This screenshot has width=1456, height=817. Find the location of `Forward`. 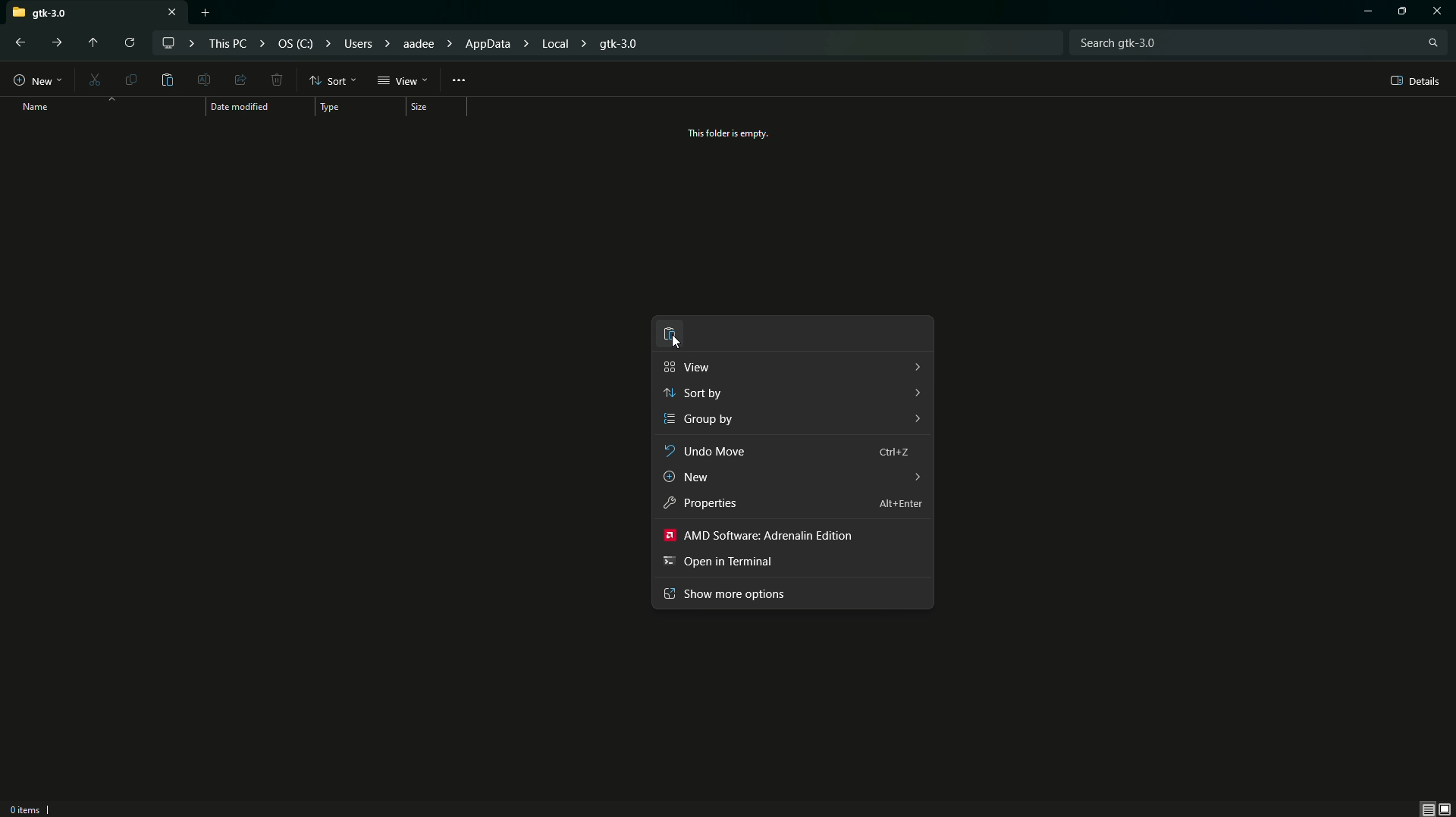

Forward is located at coordinates (59, 44).